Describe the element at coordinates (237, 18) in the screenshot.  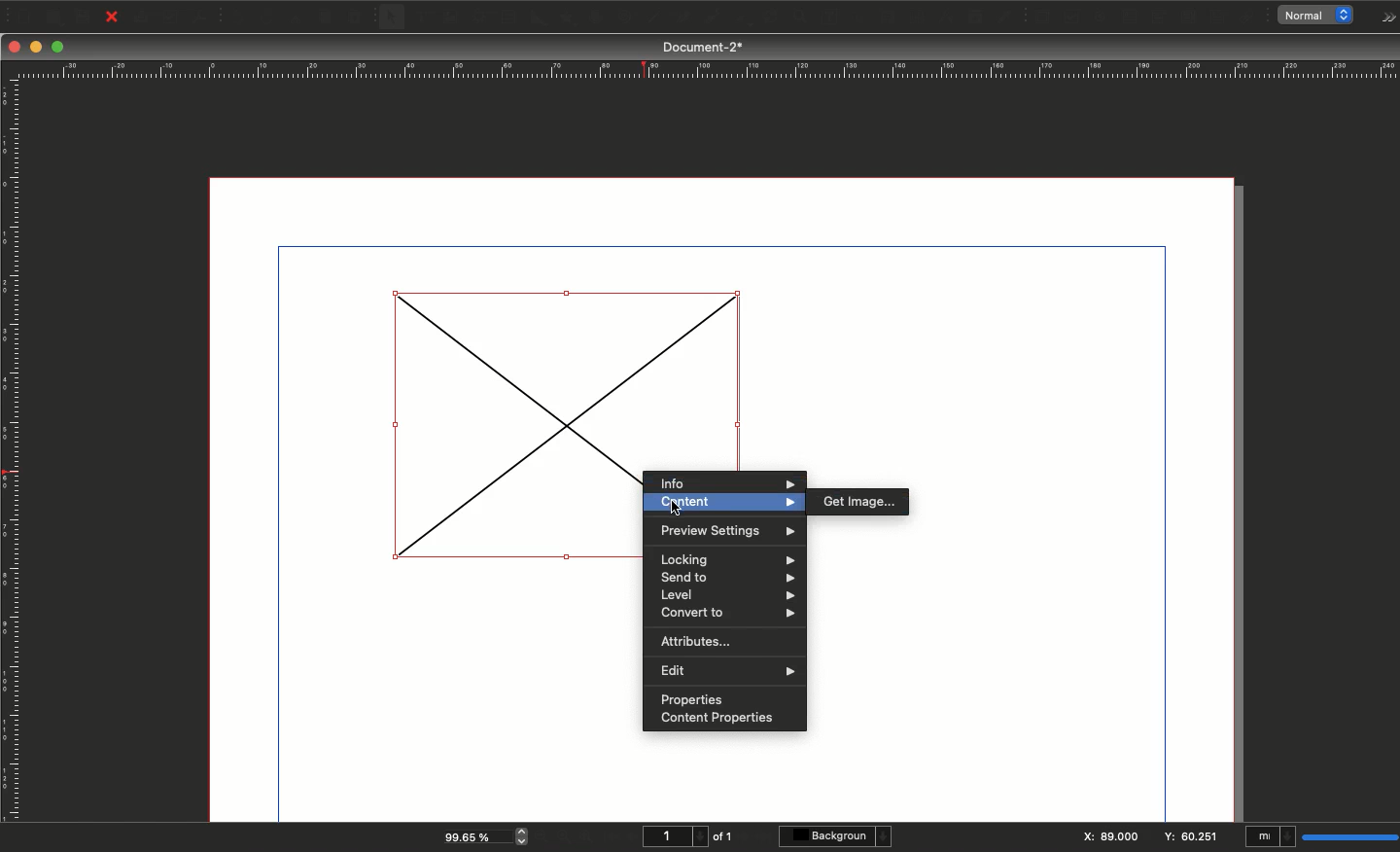
I see `Undo` at that location.